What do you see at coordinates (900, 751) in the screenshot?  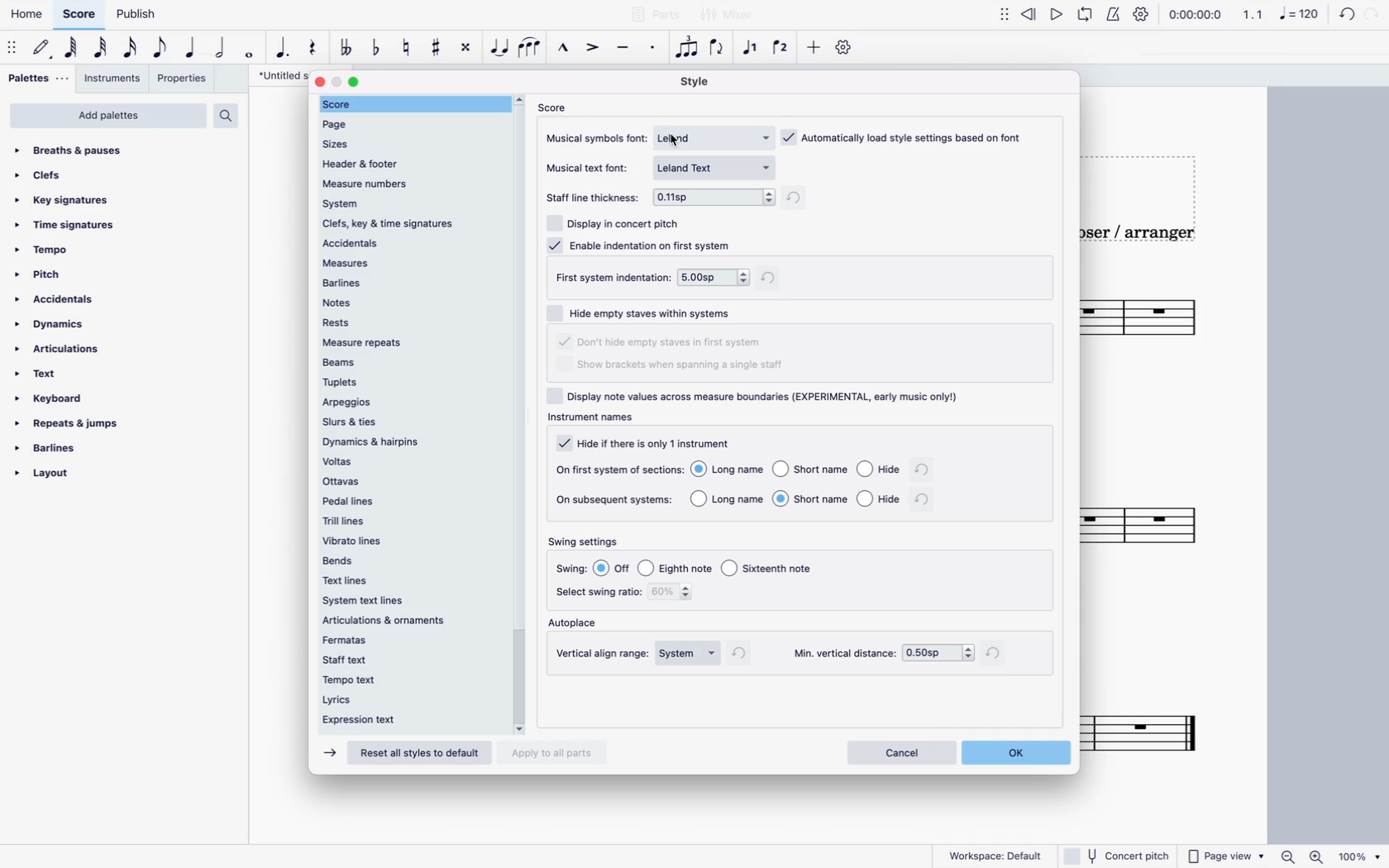 I see `cancel` at bounding box center [900, 751].